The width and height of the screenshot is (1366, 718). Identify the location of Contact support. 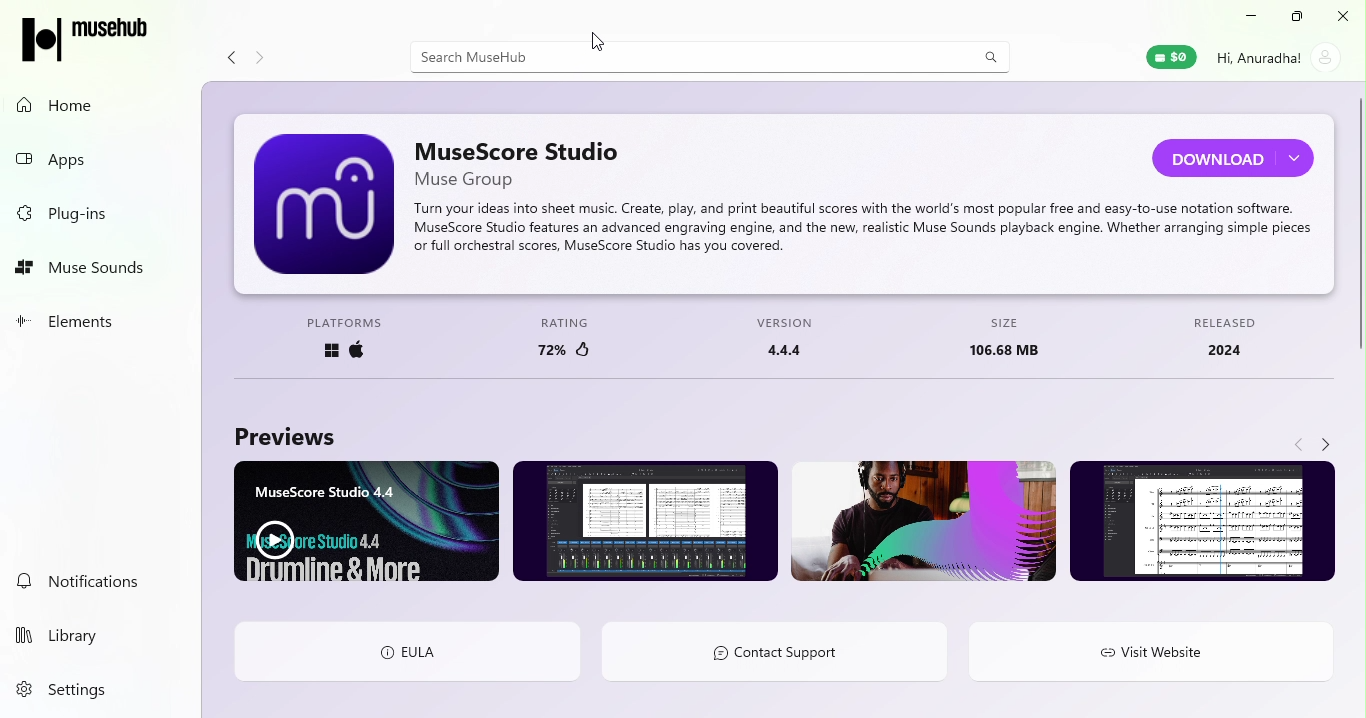
(787, 650).